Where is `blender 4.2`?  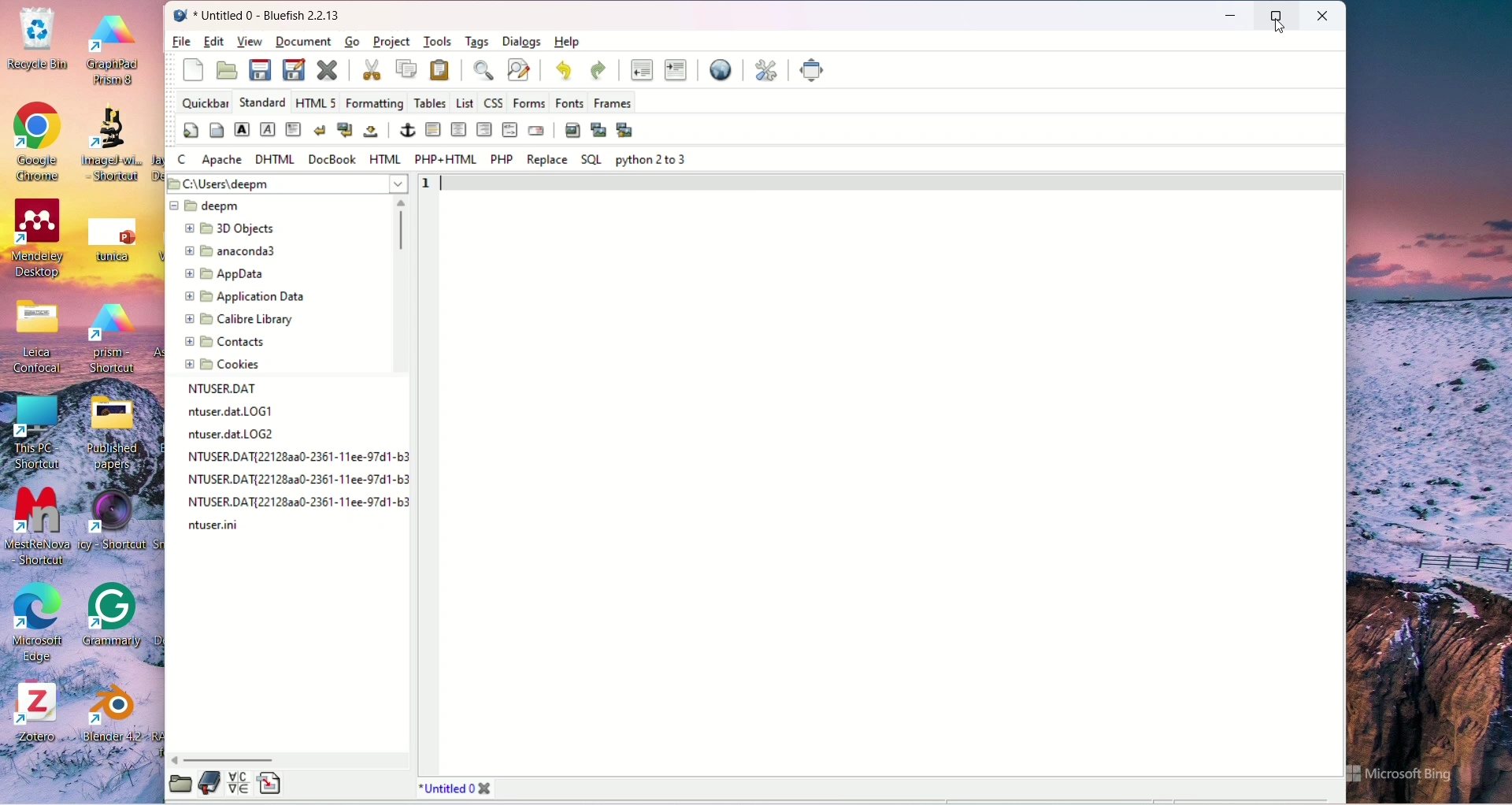
blender 4.2 is located at coordinates (107, 711).